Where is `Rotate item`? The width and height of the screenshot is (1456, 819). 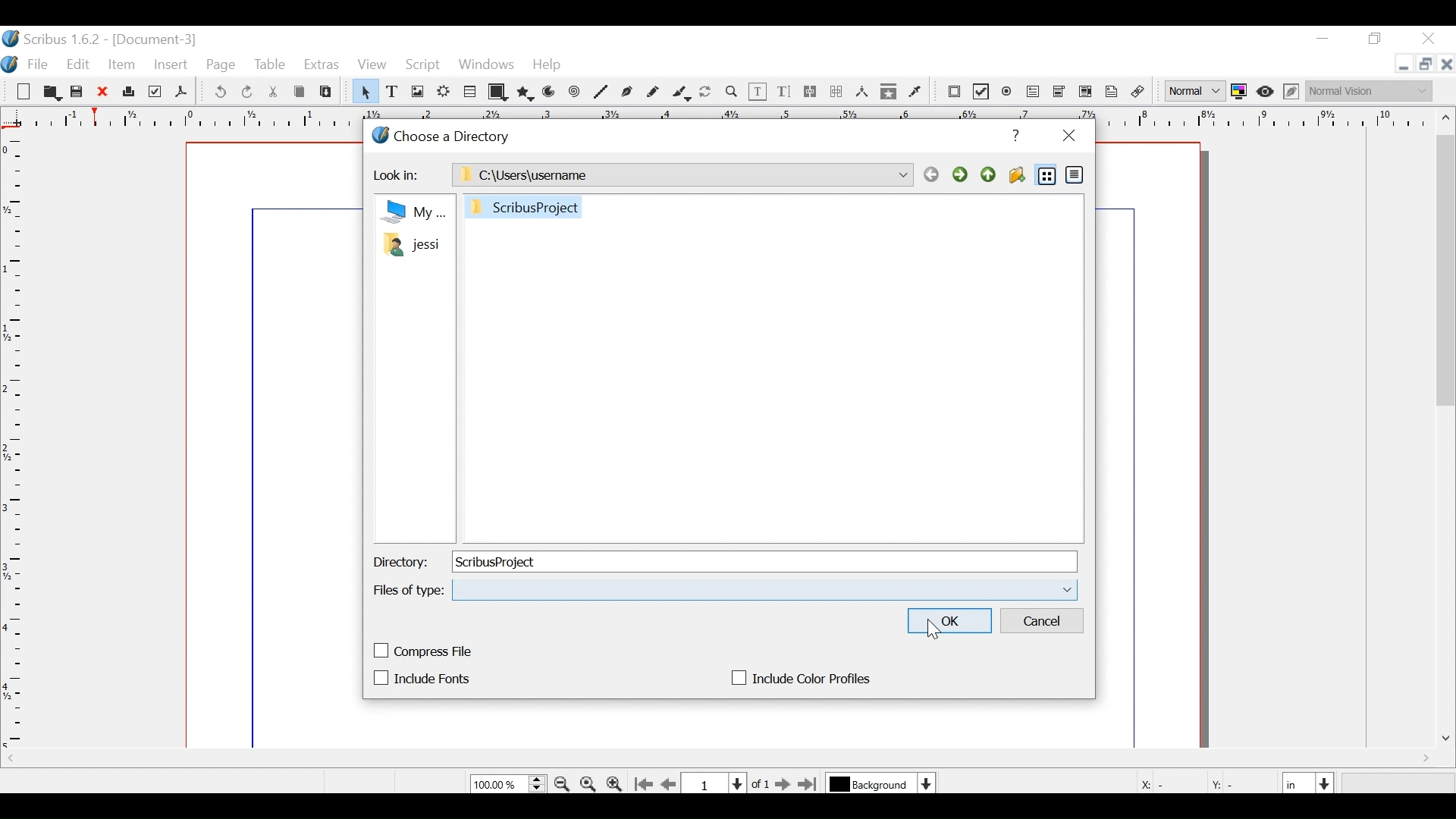
Rotate item is located at coordinates (708, 93).